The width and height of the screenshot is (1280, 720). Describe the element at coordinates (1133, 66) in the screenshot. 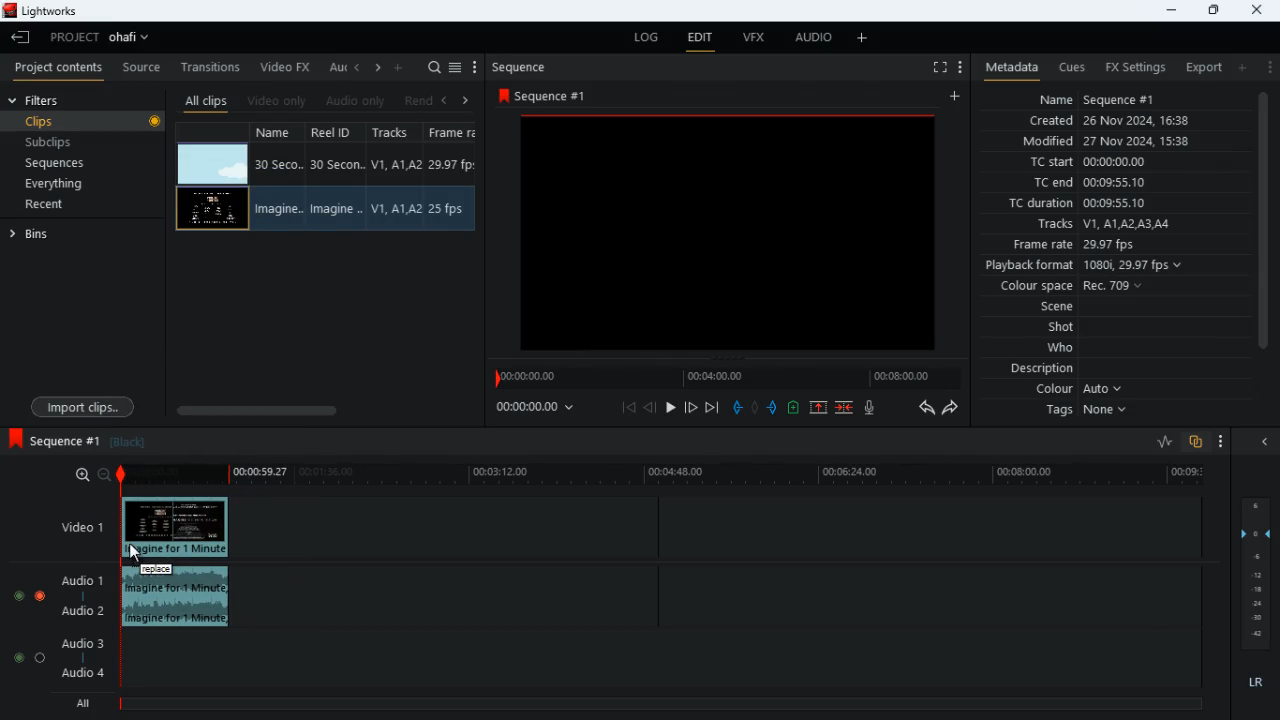

I see `fx settings` at that location.